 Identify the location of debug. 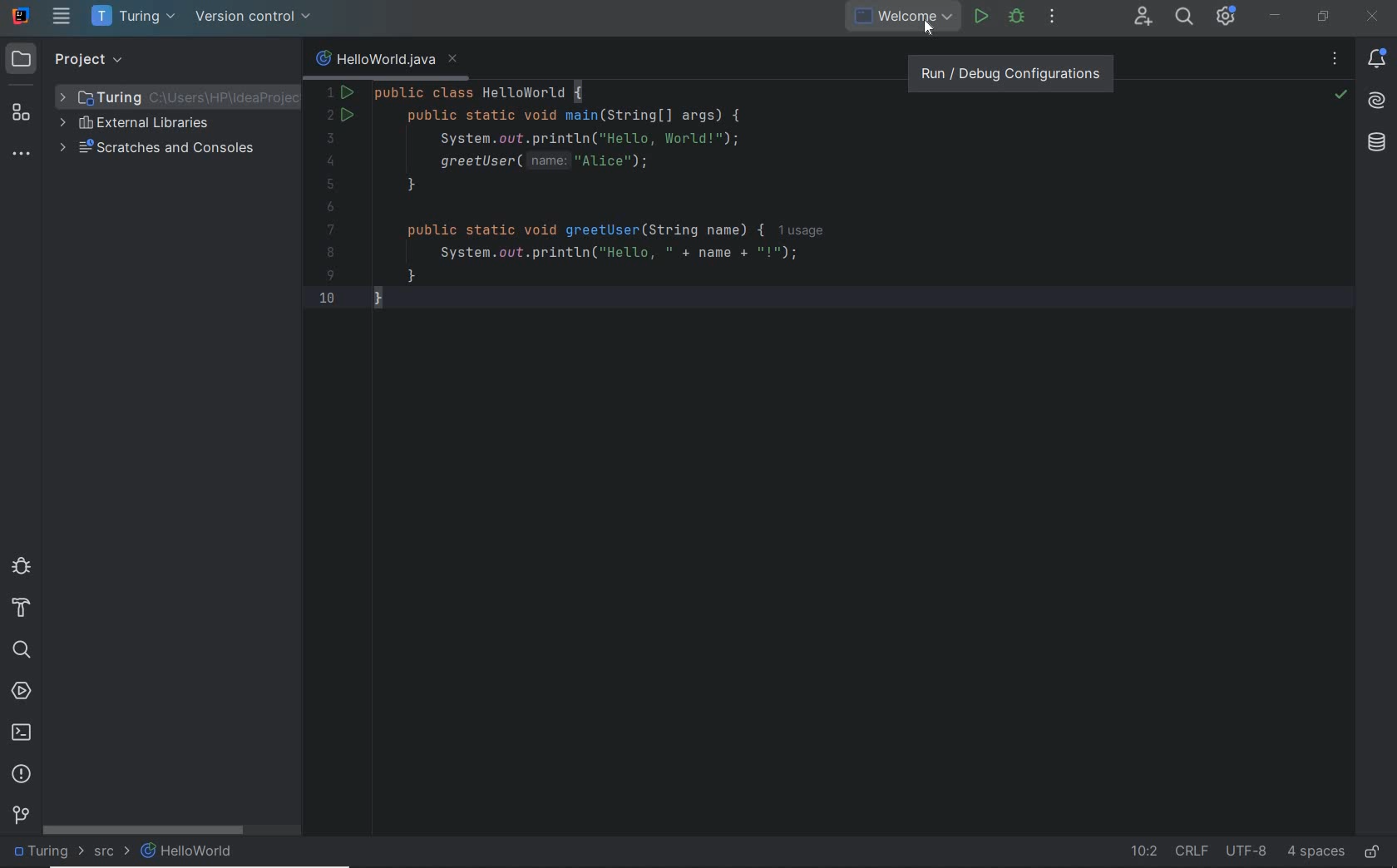
(21, 565).